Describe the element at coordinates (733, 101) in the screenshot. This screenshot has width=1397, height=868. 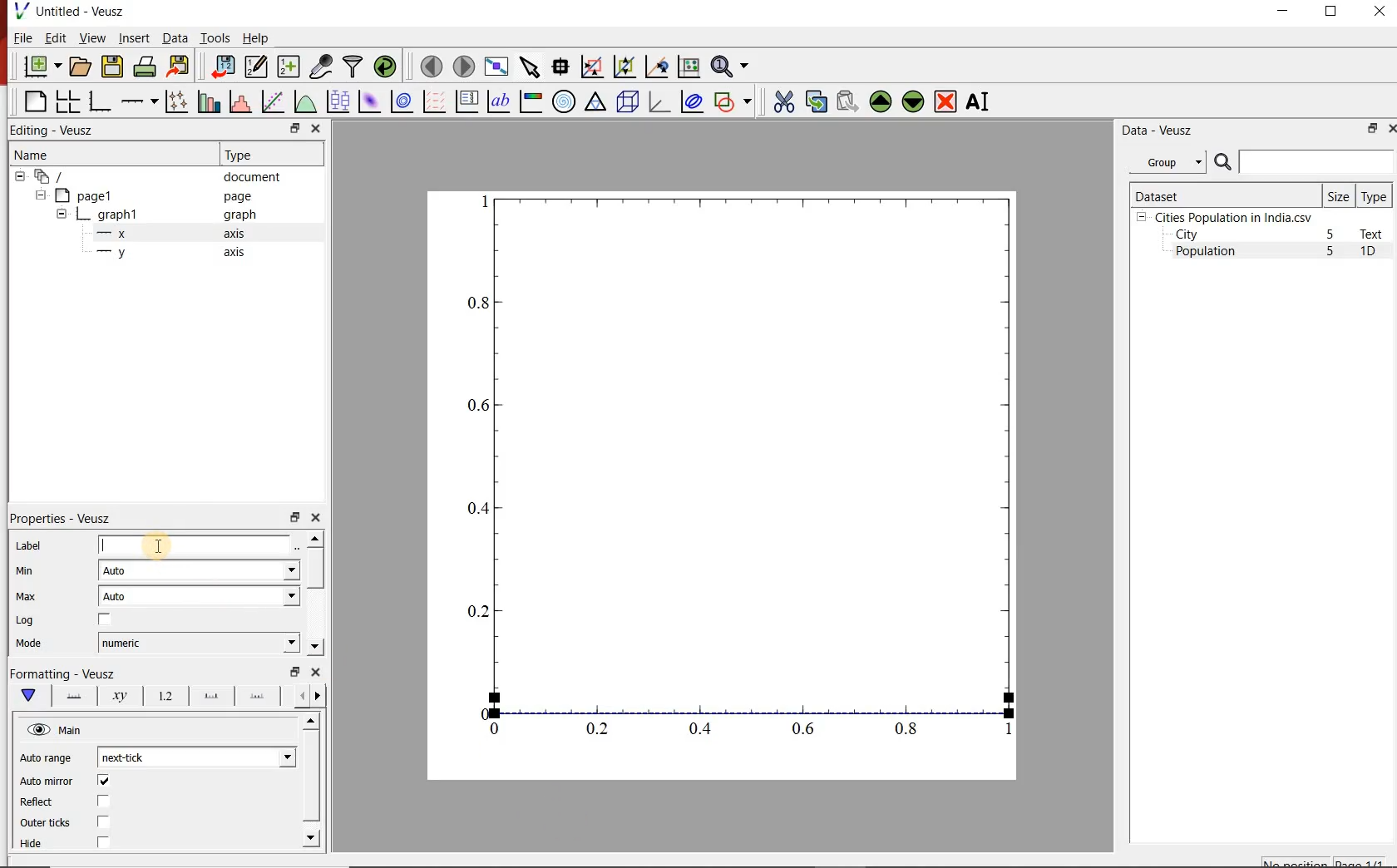
I see `add a shape to the plot` at that location.